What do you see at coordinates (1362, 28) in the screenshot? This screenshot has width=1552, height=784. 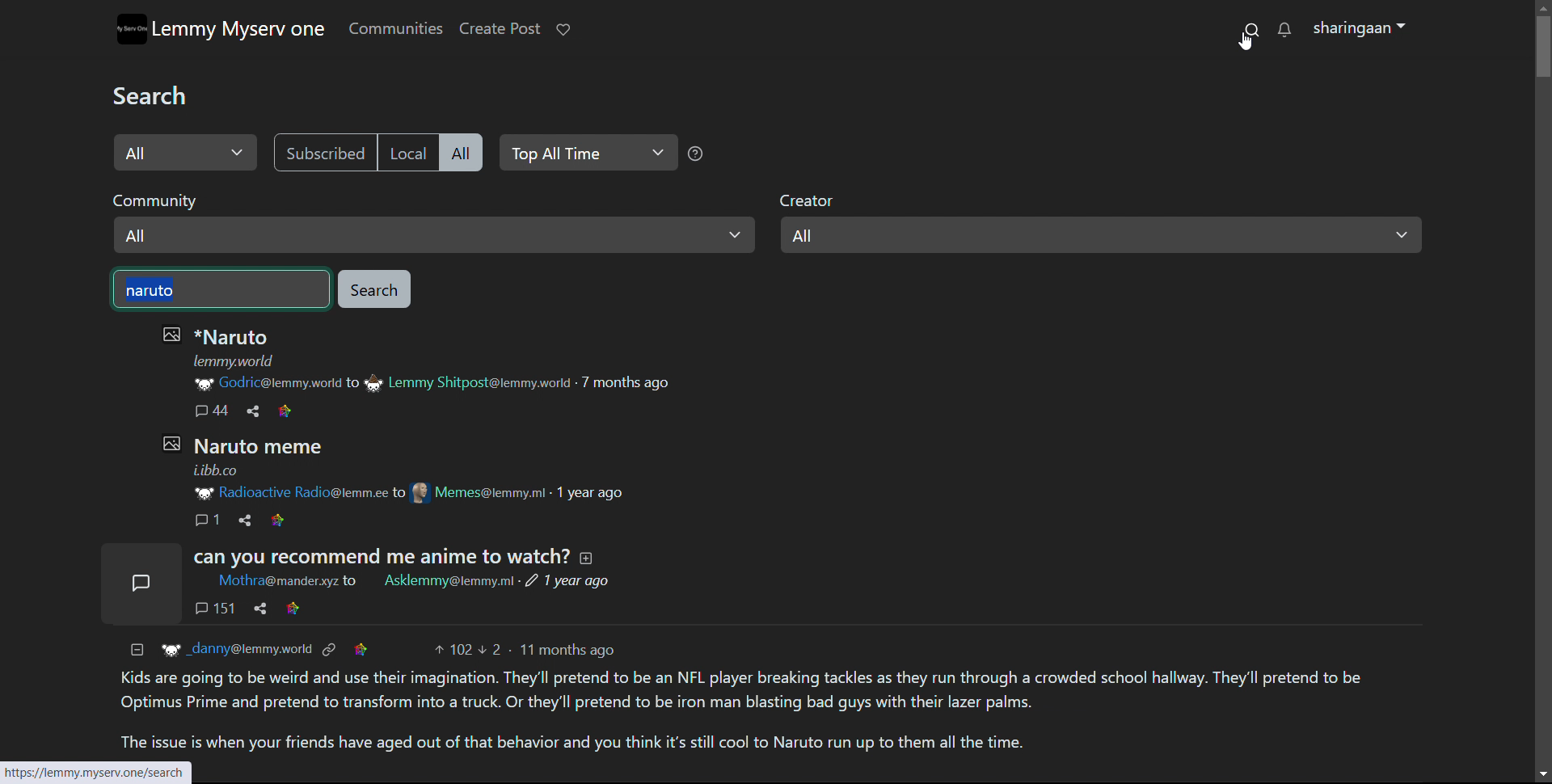 I see `sharingaan(profile)` at bounding box center [1362, 28].